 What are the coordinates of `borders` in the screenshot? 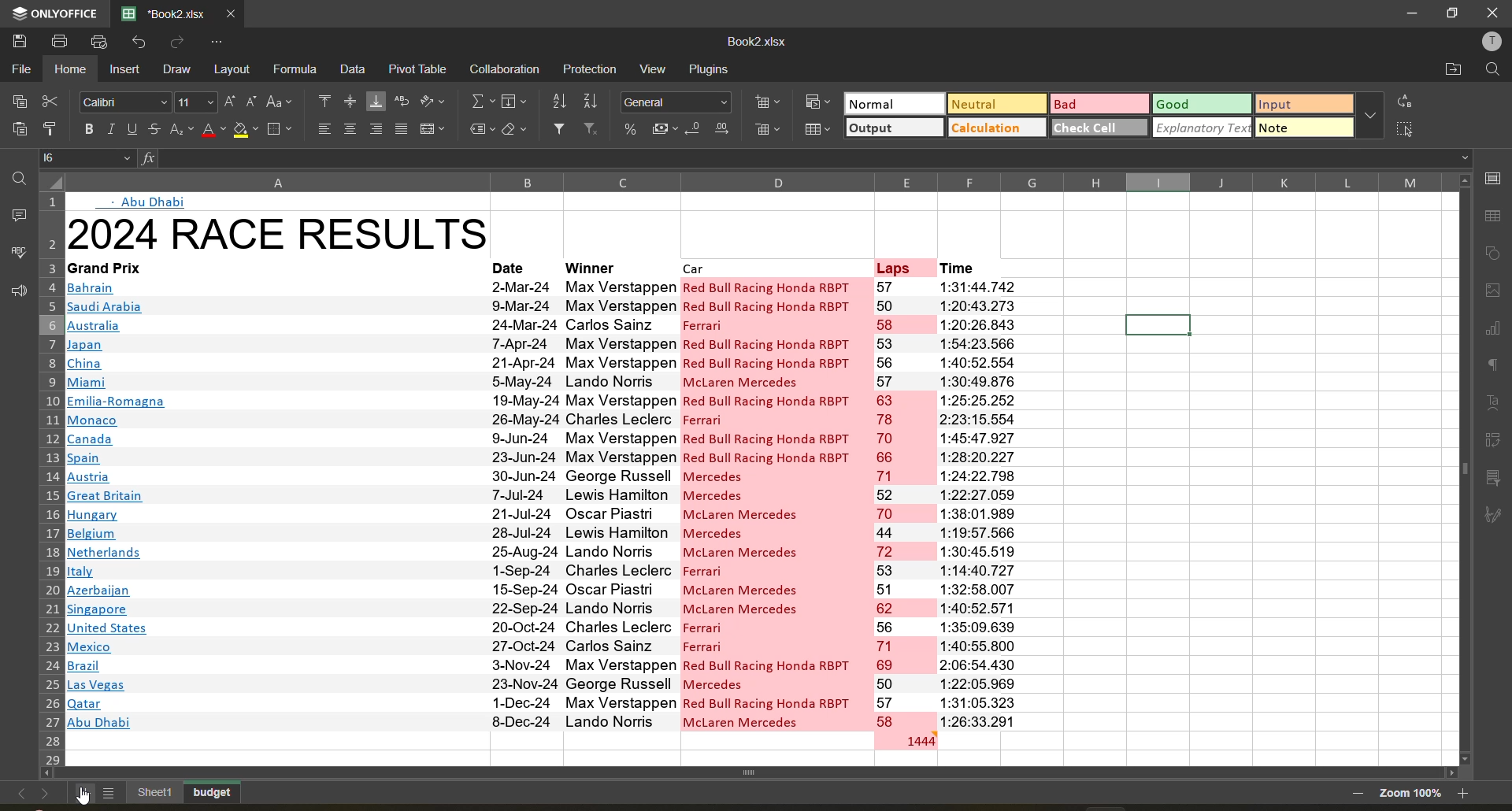 It's located at (279, 131).